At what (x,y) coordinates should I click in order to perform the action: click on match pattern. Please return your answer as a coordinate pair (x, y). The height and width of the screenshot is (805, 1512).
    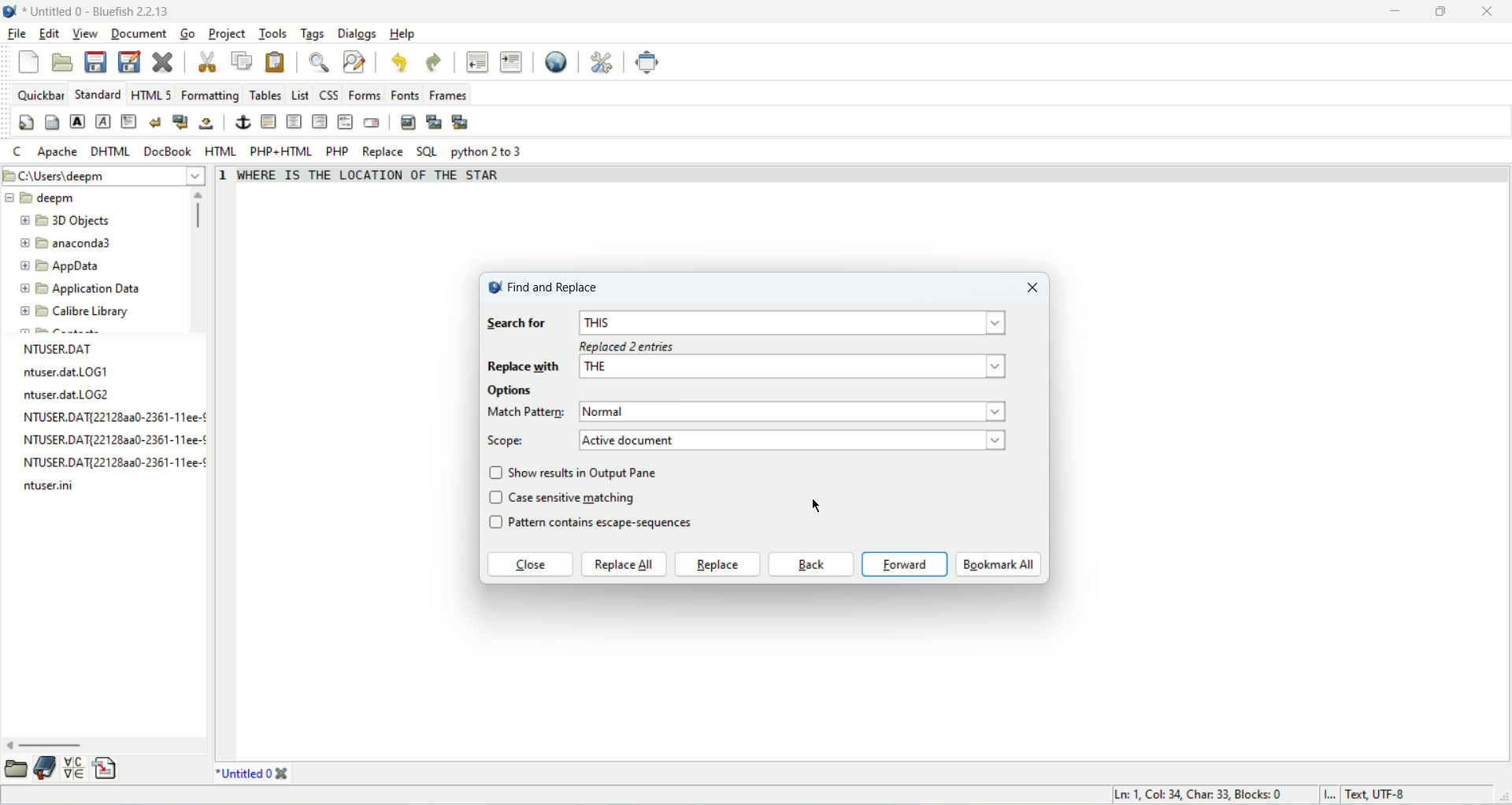
    Looking at the image, I should click on (797, 412).